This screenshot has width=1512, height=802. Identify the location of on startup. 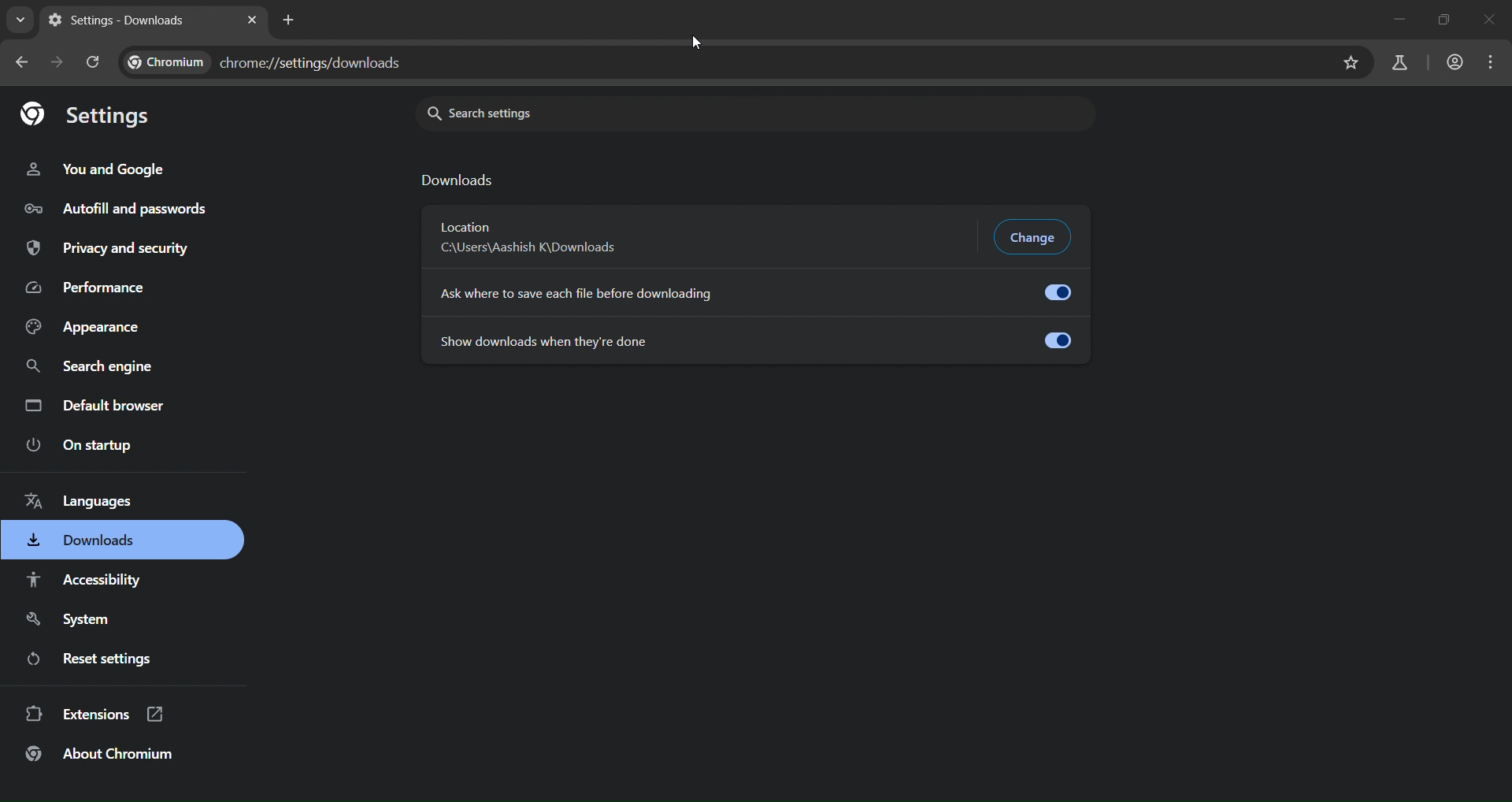
(79, 447).